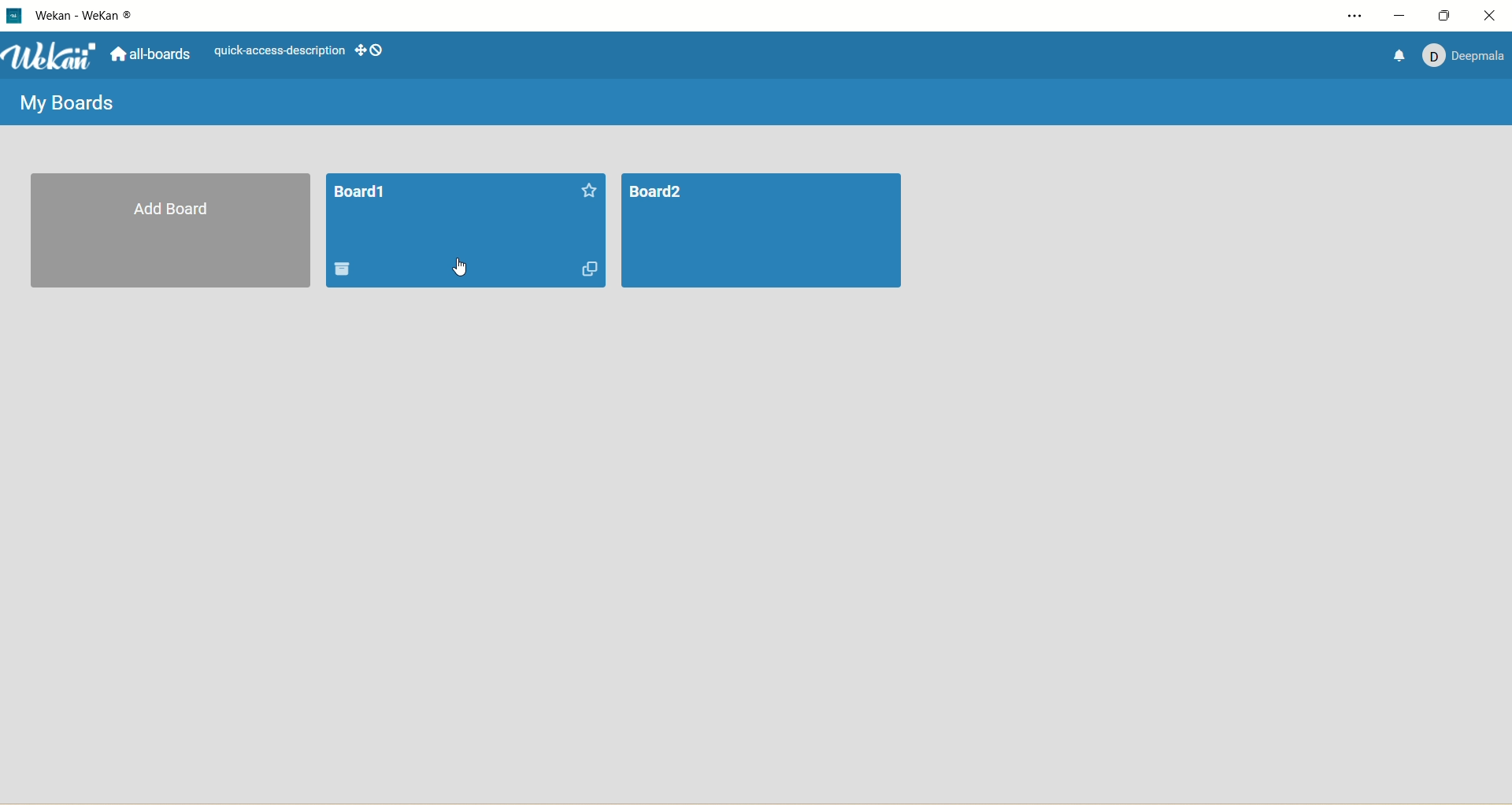 Image resolution: width=1512 pixels, height=805 pixels. I want to click on account, so click(1463, 52).